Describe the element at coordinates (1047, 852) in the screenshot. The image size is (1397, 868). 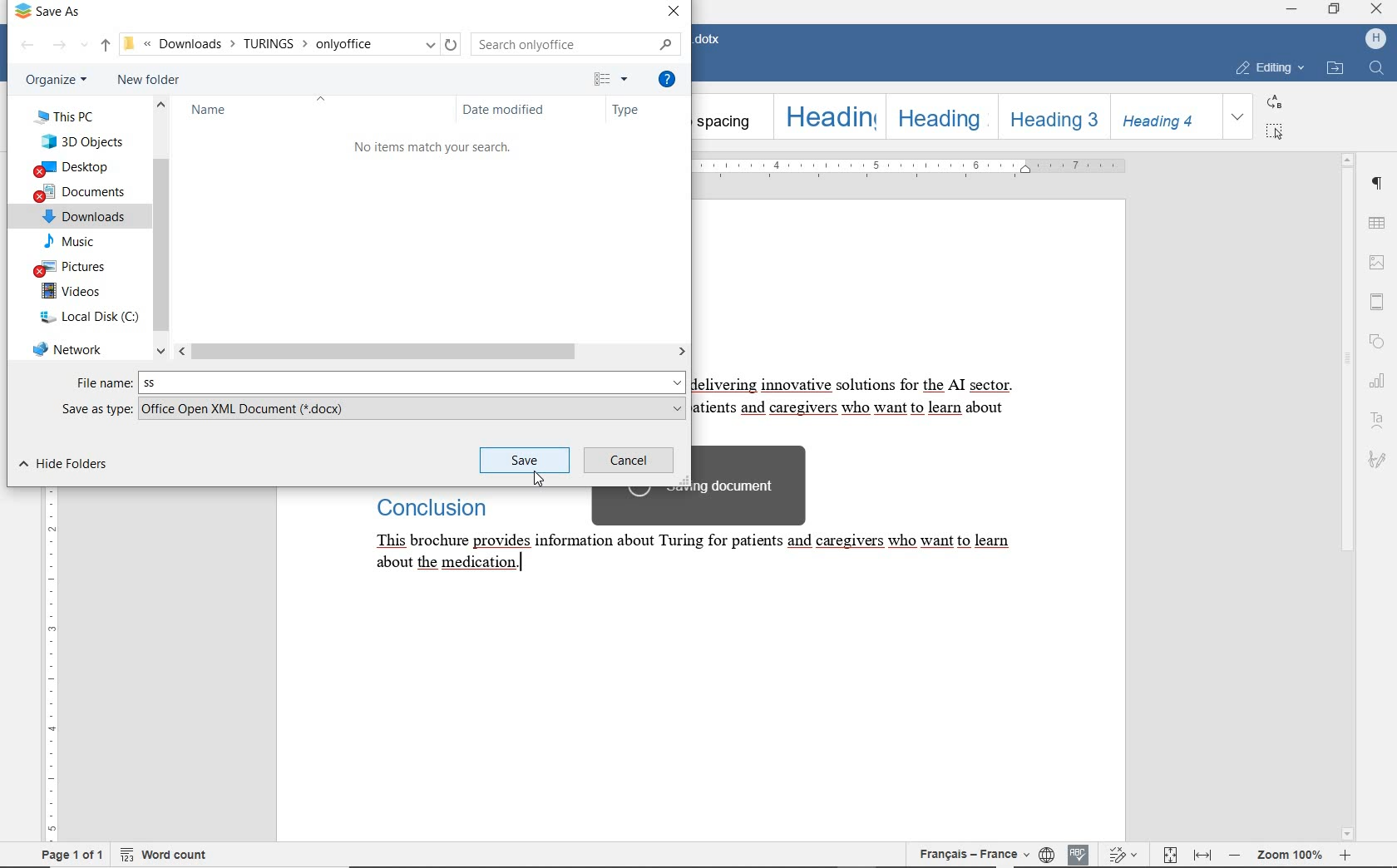
I see `SET DOCUMENT LANGUAGE` at that location.